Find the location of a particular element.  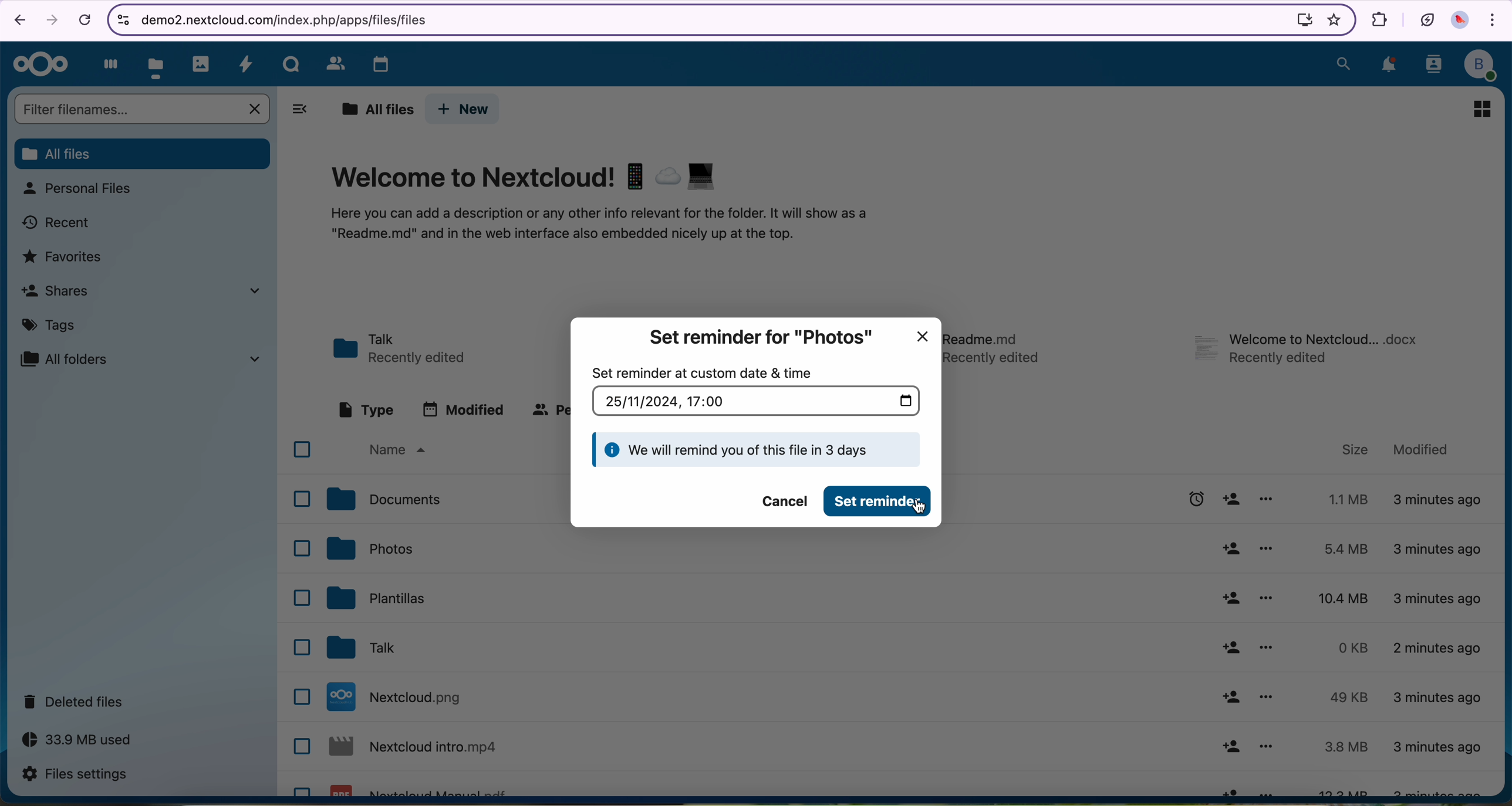

cancel is located at coordinates (778, 501).